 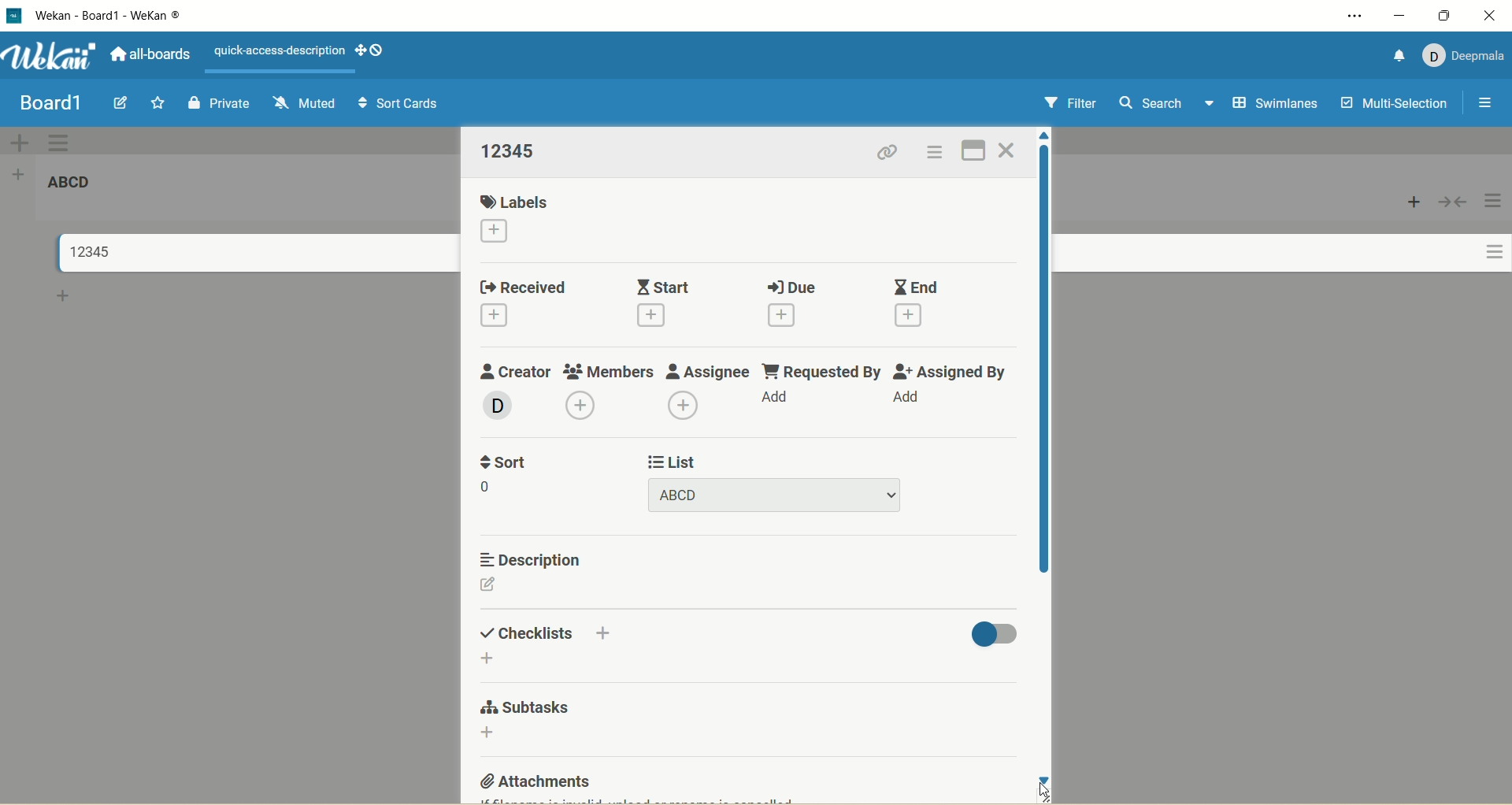 What do you see at coordinates (976, 147) in the screenshot?
I see `full screen` at bounding box center [976, 147].